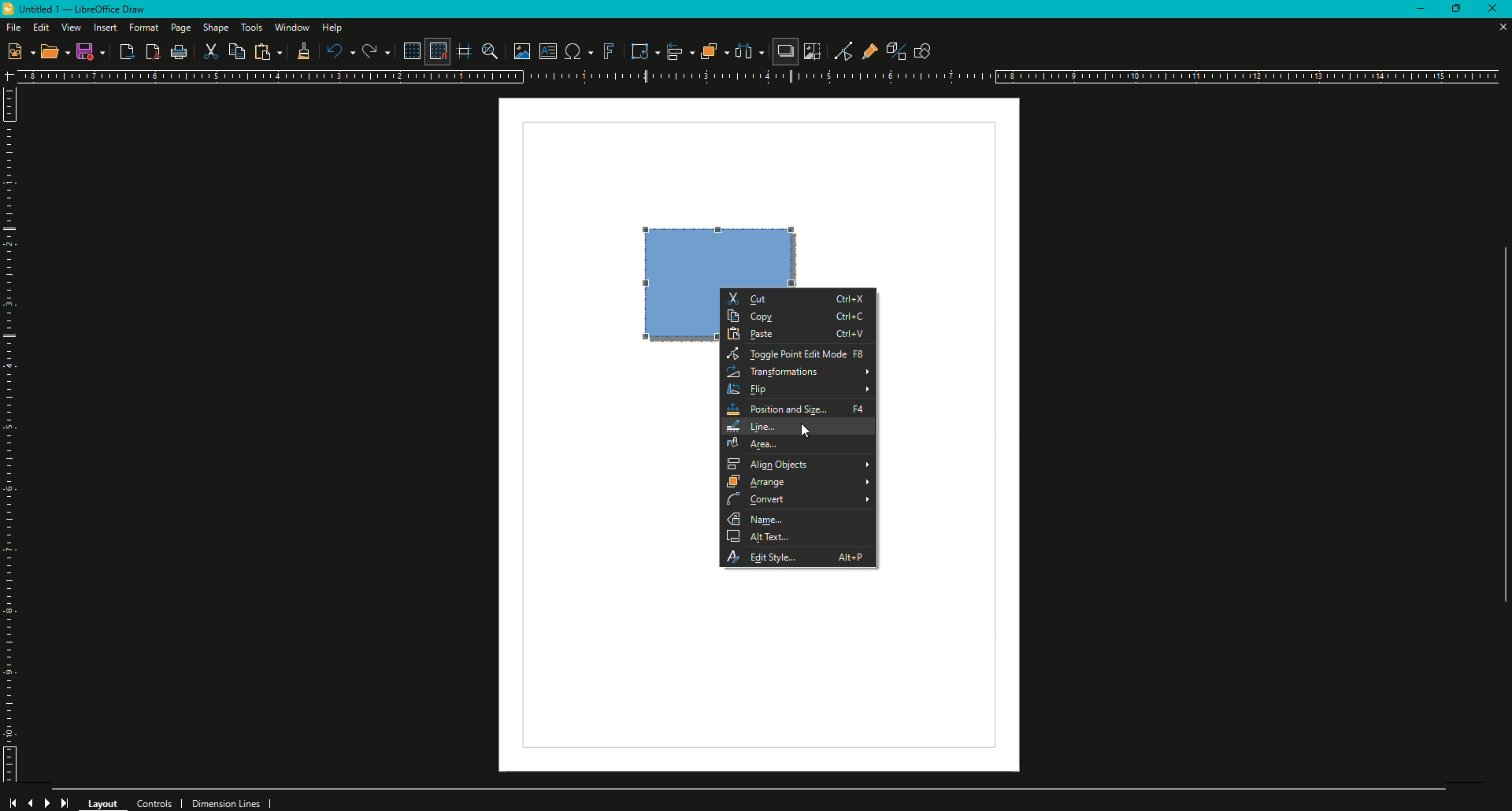  Describe the element at coordinates (436, 51) in the screenshot. I see `Snap to Grid` at that location.